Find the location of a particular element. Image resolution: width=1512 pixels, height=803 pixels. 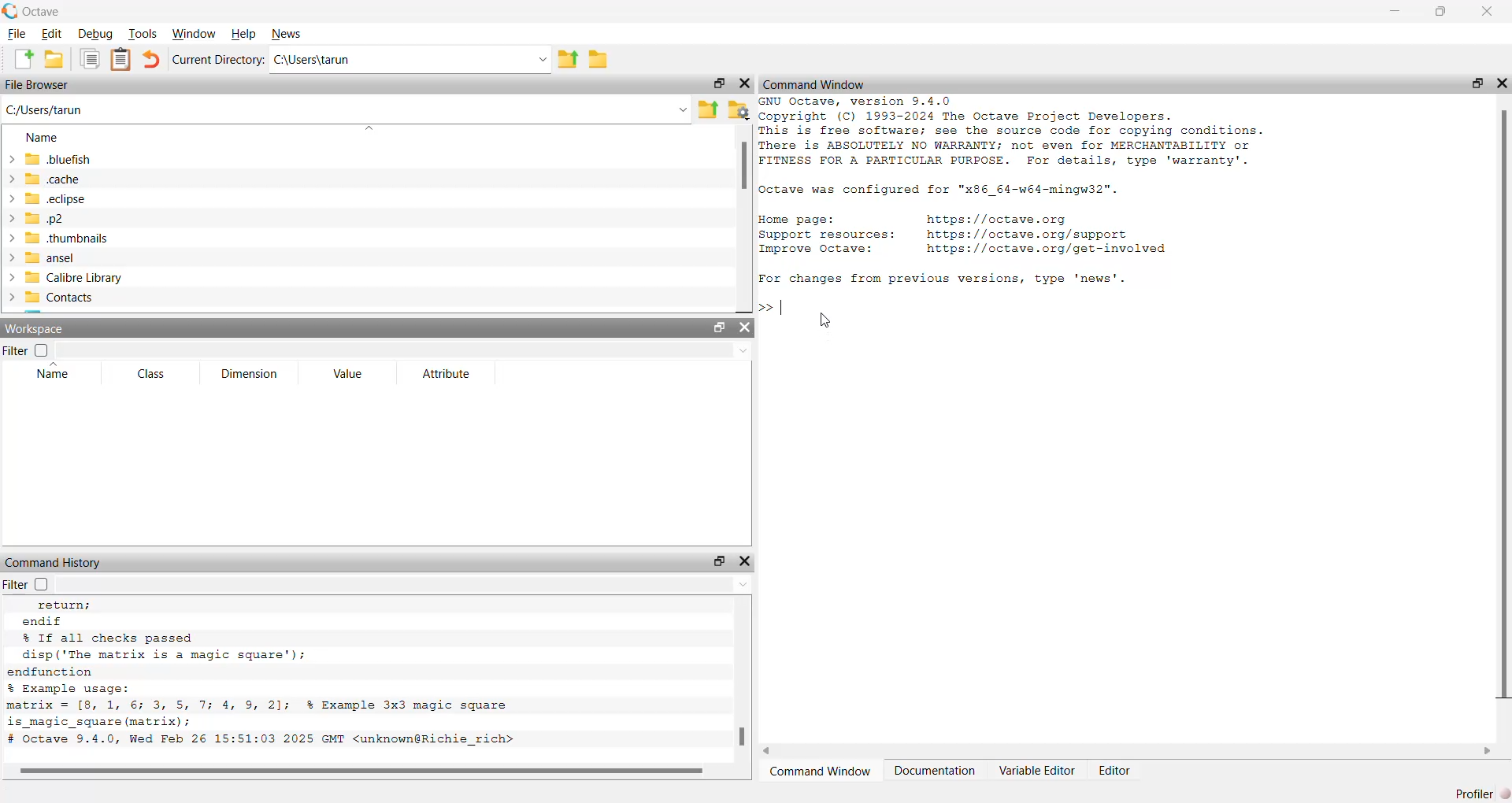

News is located at coordinates (287, 34).